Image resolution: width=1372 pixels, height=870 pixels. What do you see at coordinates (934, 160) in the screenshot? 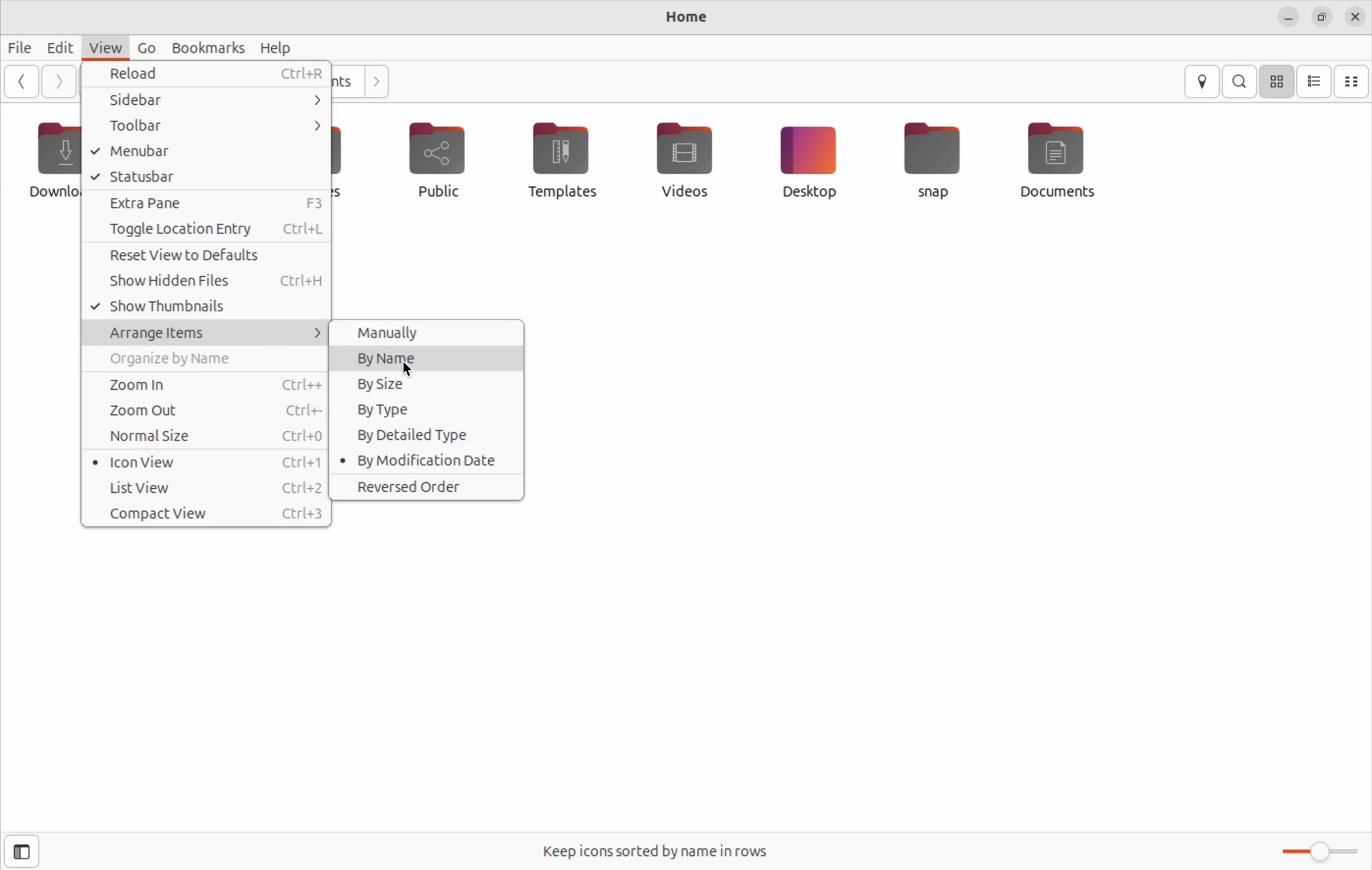
I see `Snap` at bounding box center [934, 160].